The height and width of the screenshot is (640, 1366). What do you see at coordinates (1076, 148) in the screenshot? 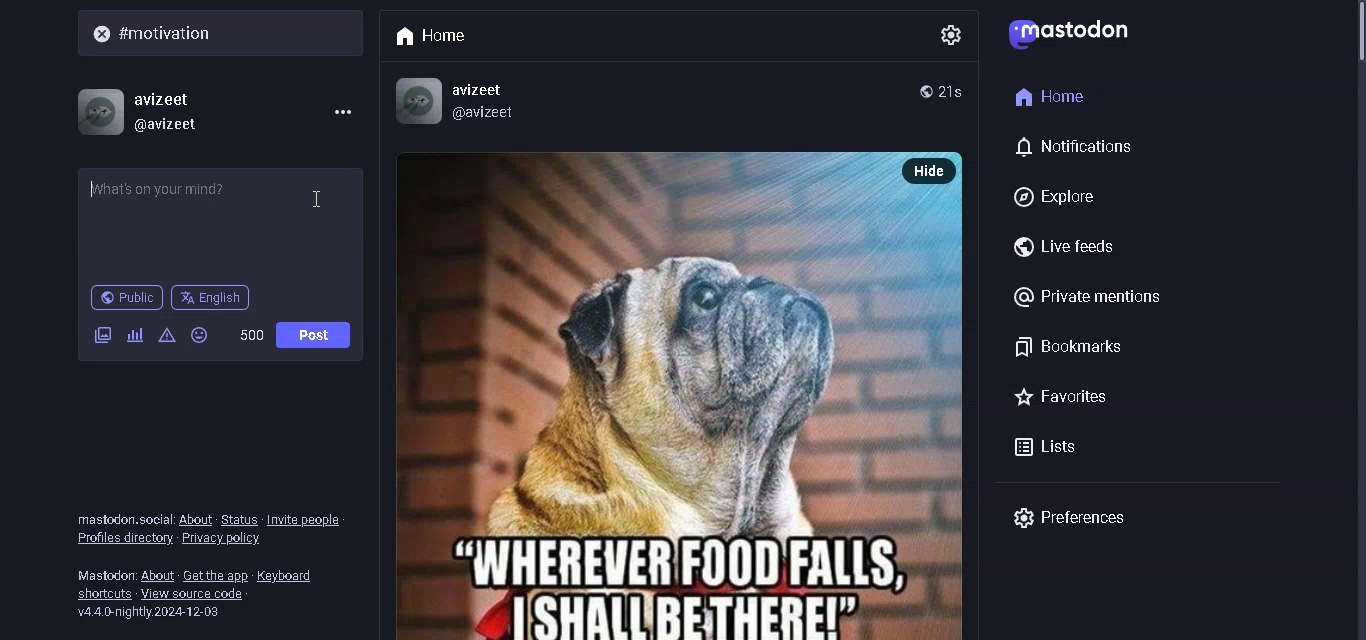
I see `notifications` at bounding box center [1076, 148].